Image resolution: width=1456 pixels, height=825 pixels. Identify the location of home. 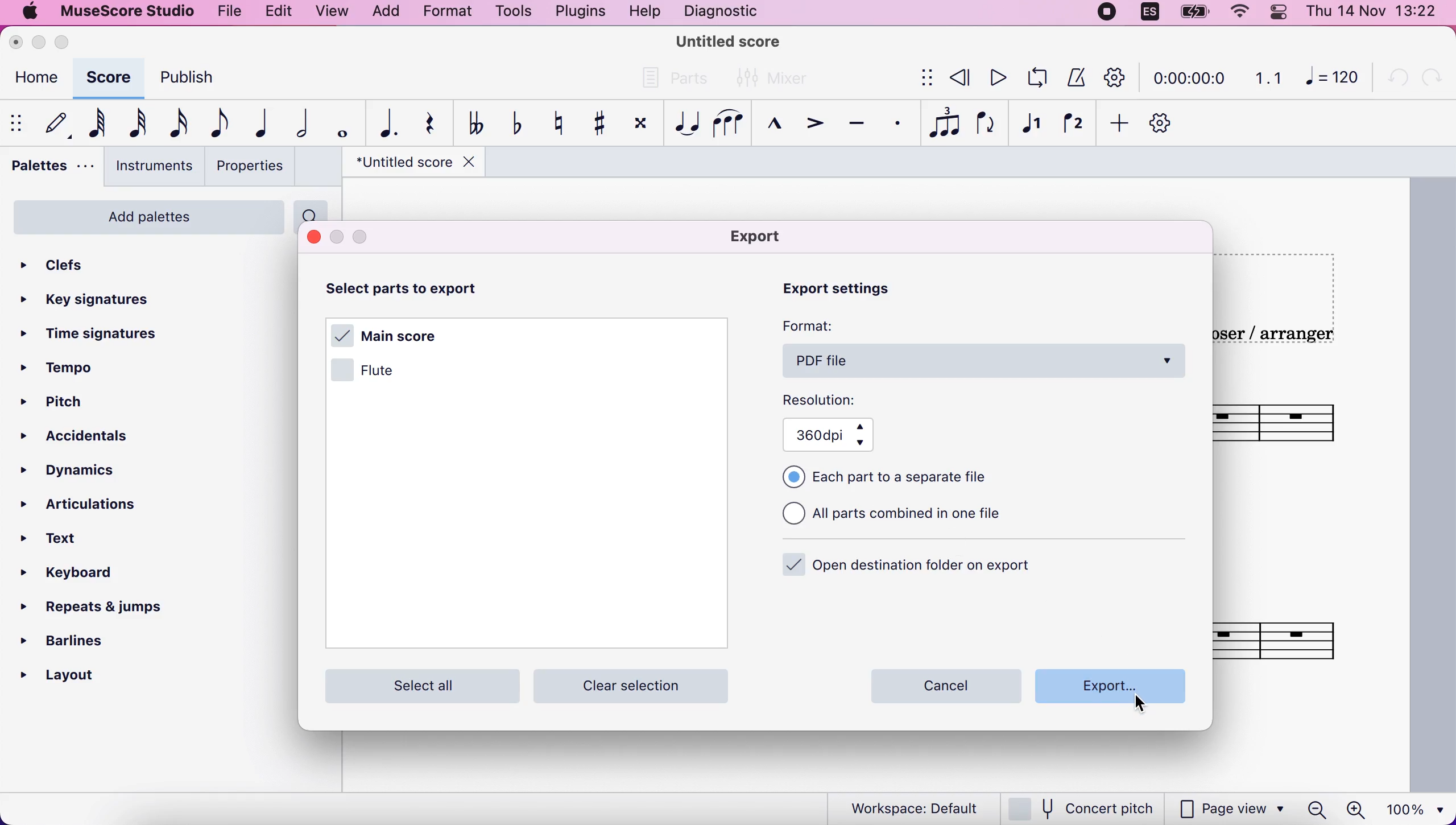
(36, 77).